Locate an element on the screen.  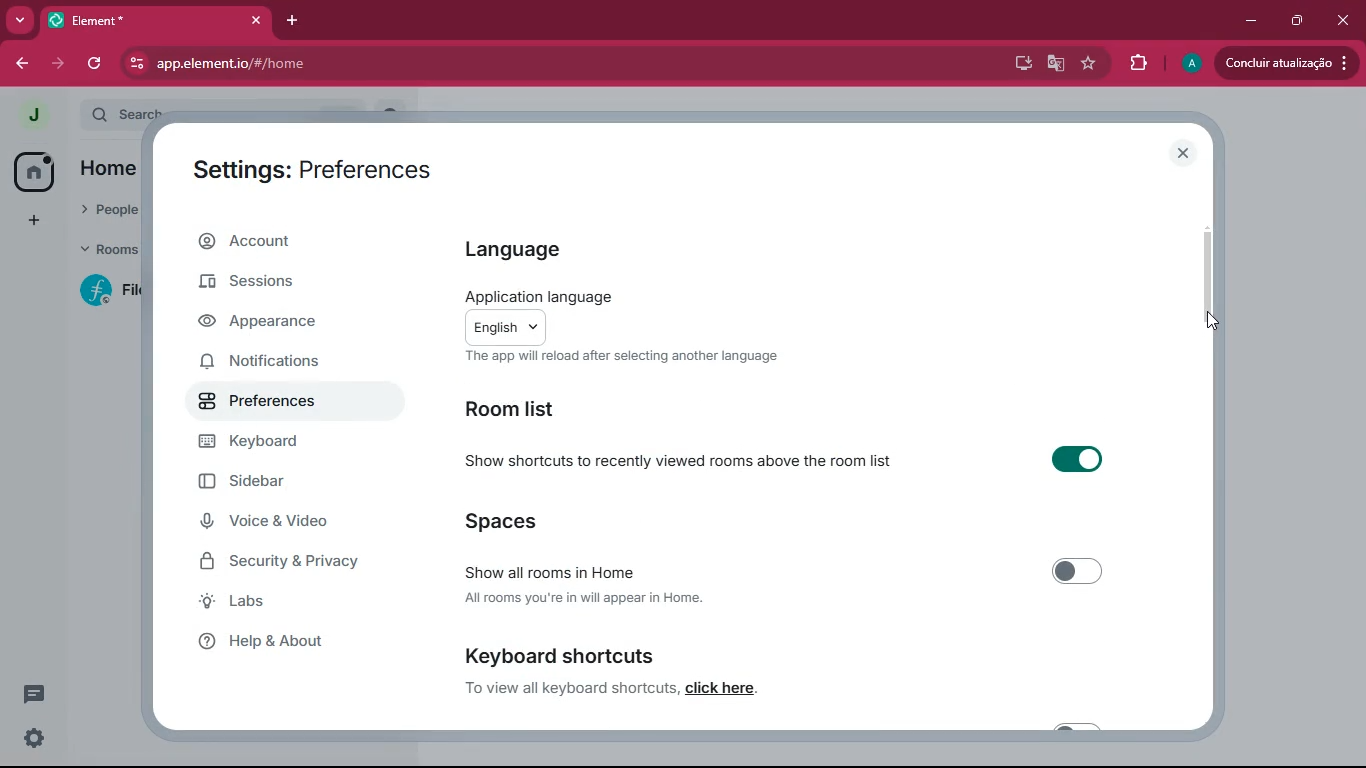
keyboard shortcuts is located at coordinates (657, 652).